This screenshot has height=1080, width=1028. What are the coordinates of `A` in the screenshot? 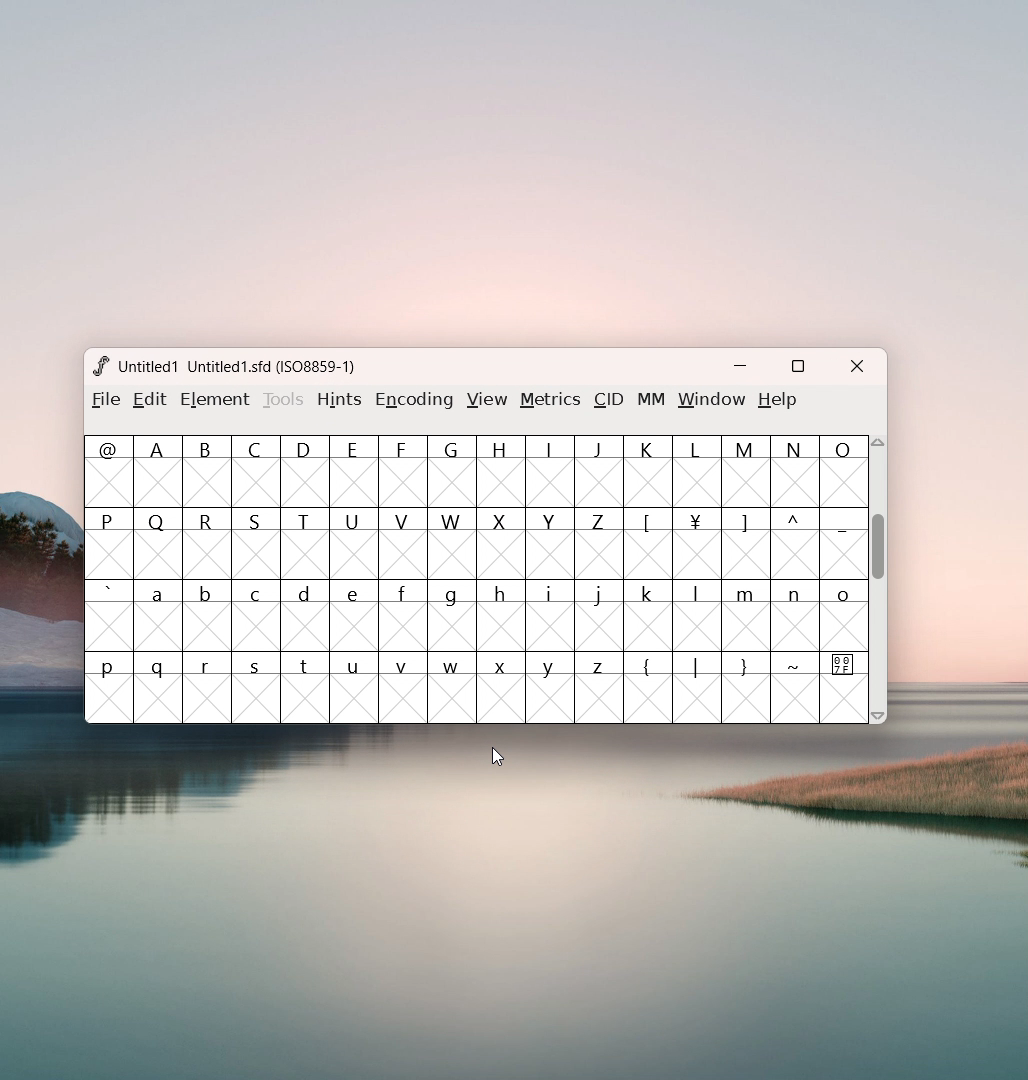 It's located at (159, 471).